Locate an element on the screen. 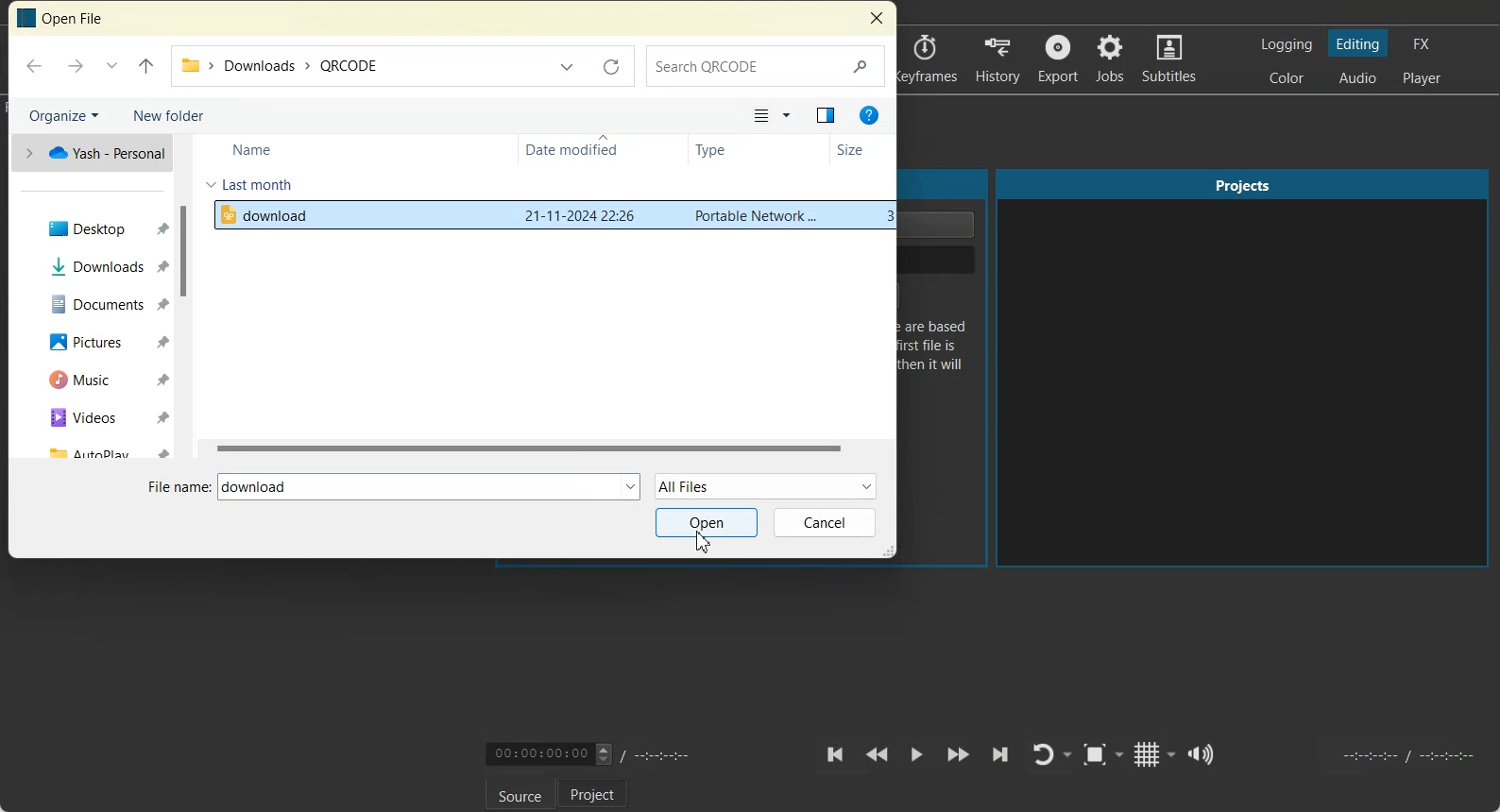  Get Help is located at coordinates (868, 116).